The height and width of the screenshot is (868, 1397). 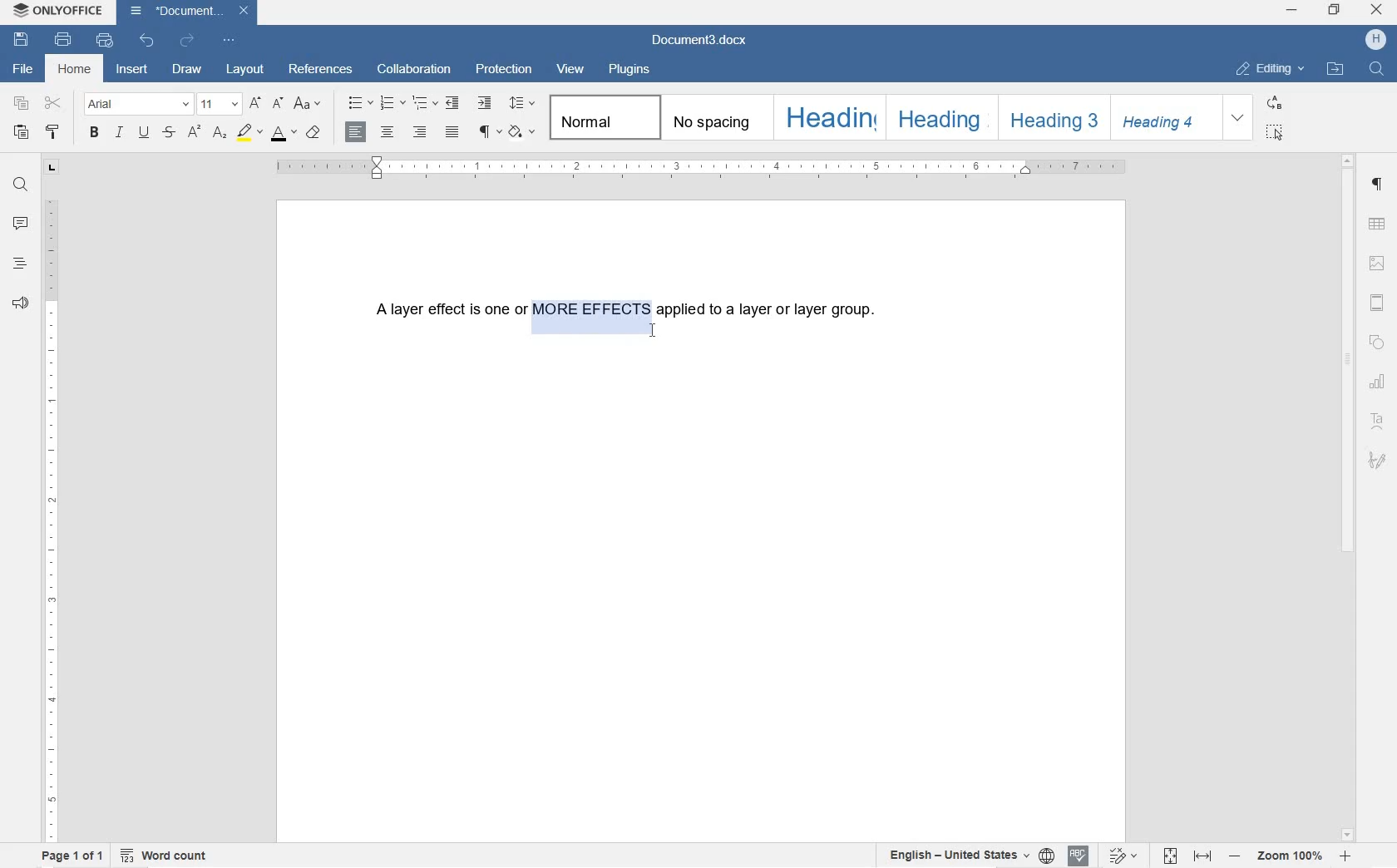 What do you see at coordinates (309, 104) in the screenshot?
I see `CHANGE CASE` at bounding box center [309, 104].